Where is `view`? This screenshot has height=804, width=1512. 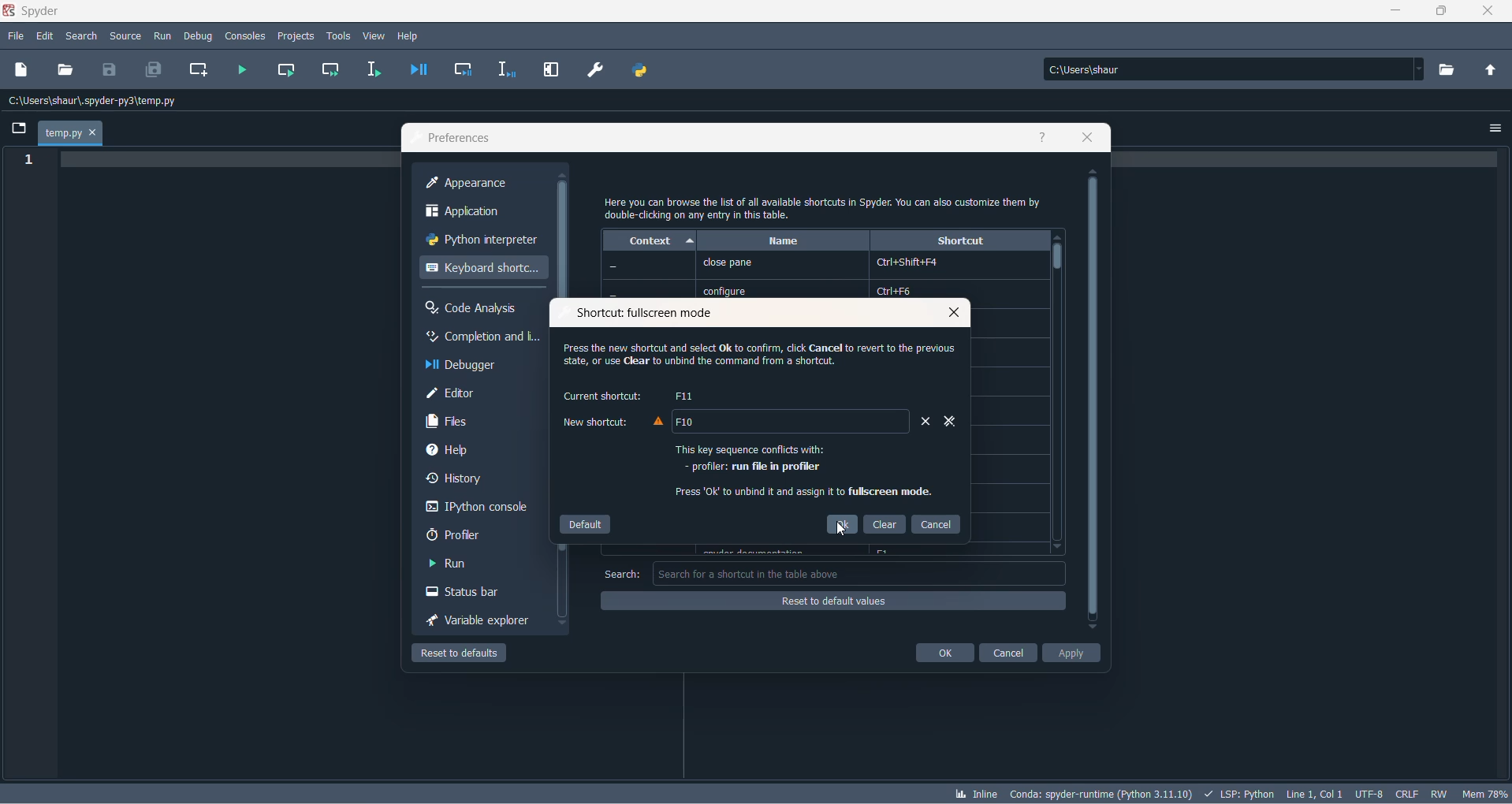
view is located at coordinates (374, 36).